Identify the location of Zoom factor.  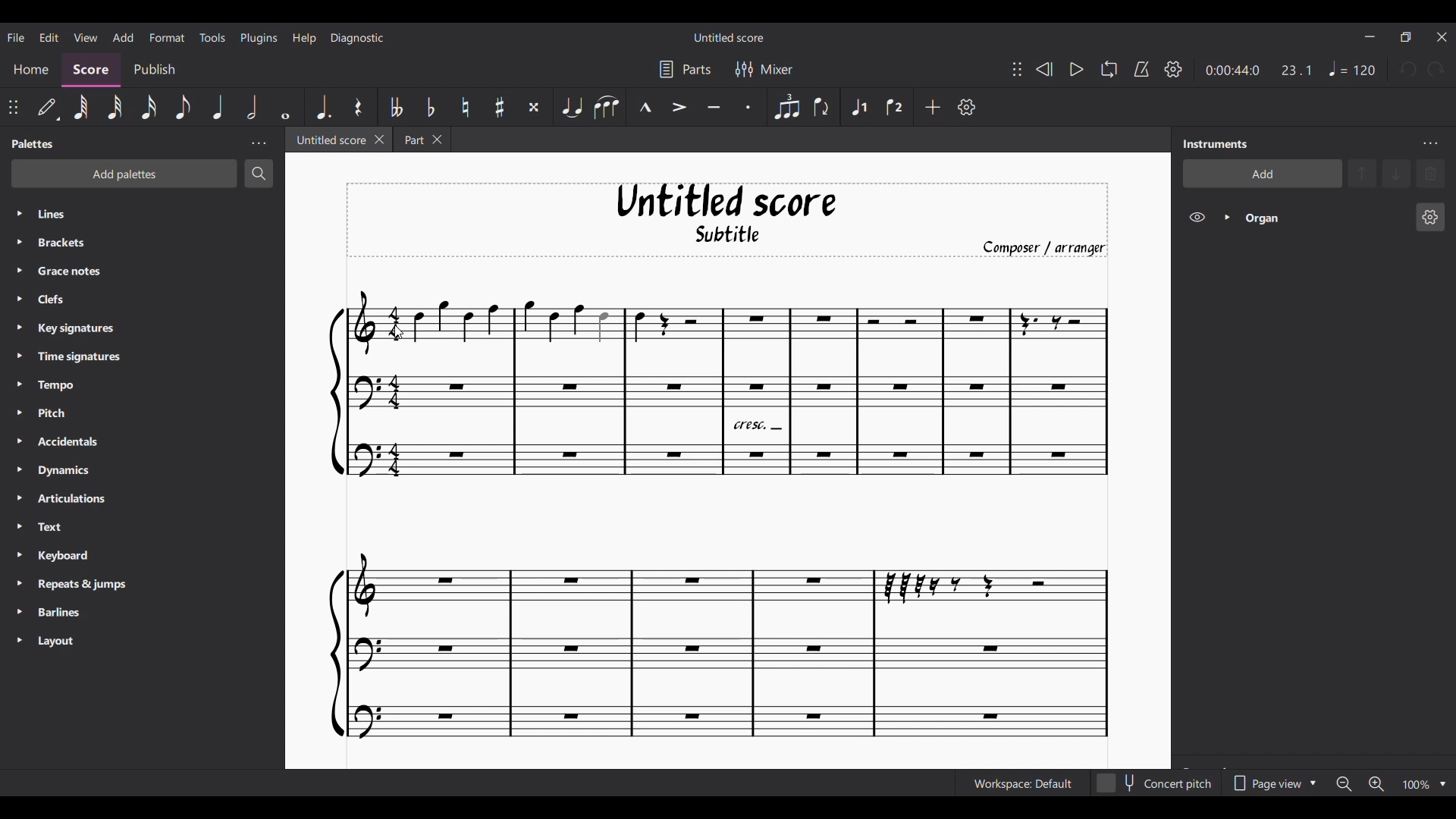
(1416, 785).